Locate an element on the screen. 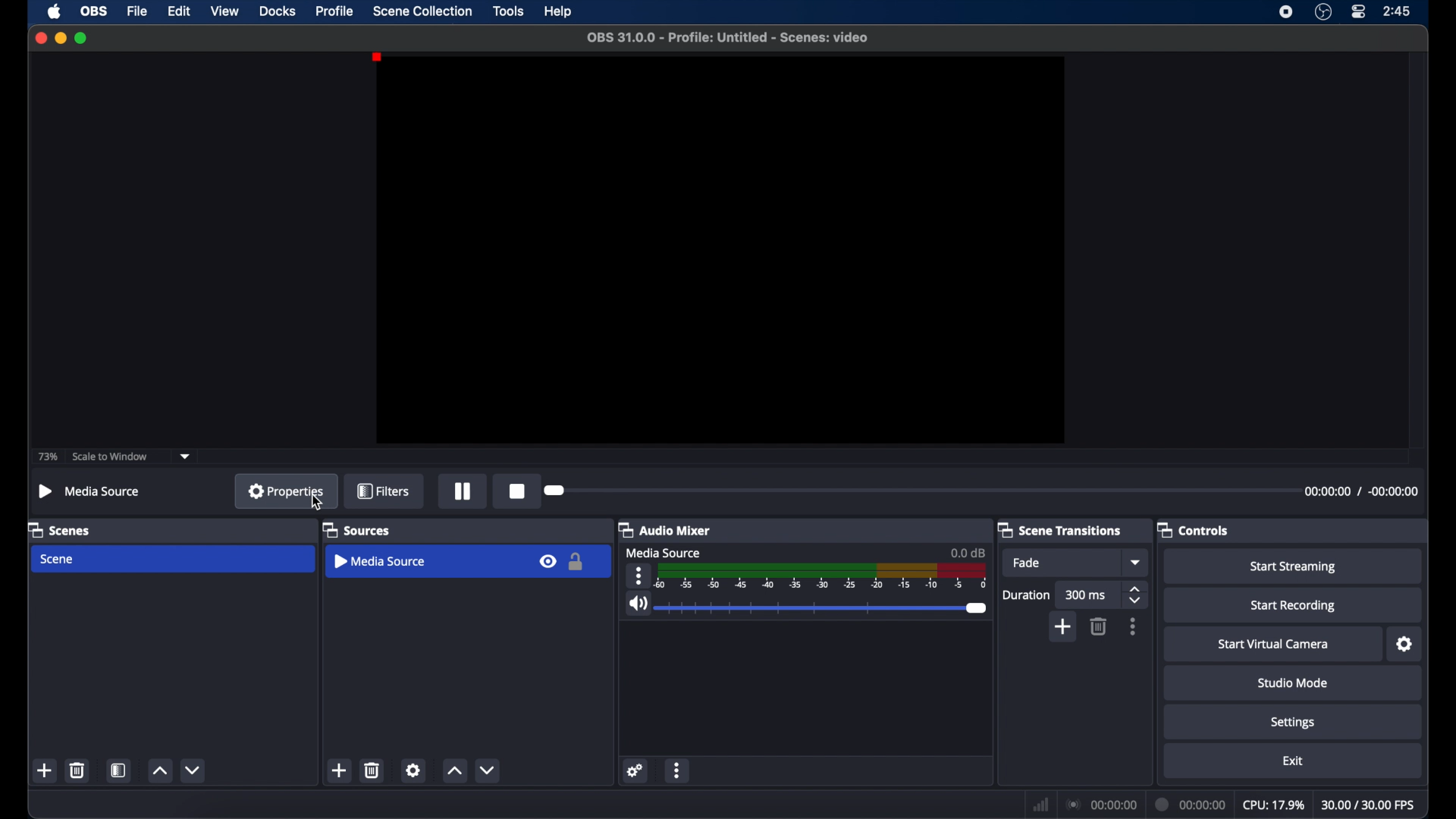  scene filters is located at coordinates (119, 770).